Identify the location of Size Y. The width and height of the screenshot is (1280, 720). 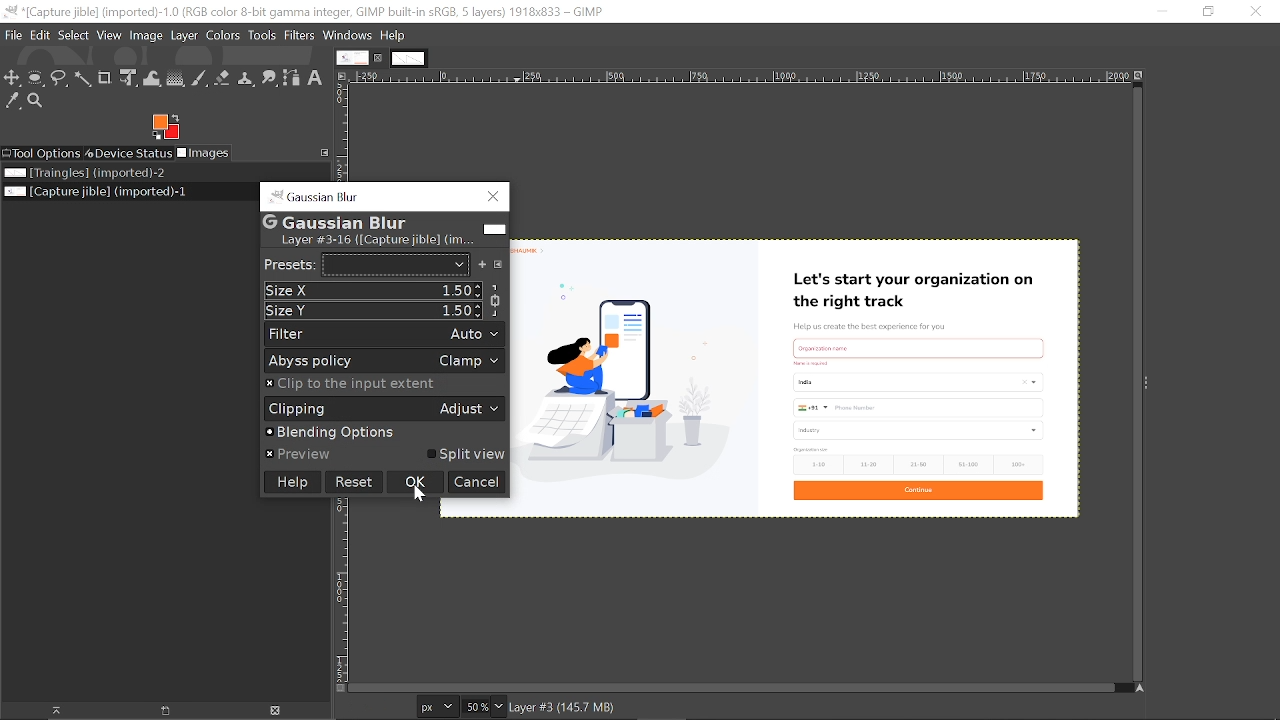
(374, 310).